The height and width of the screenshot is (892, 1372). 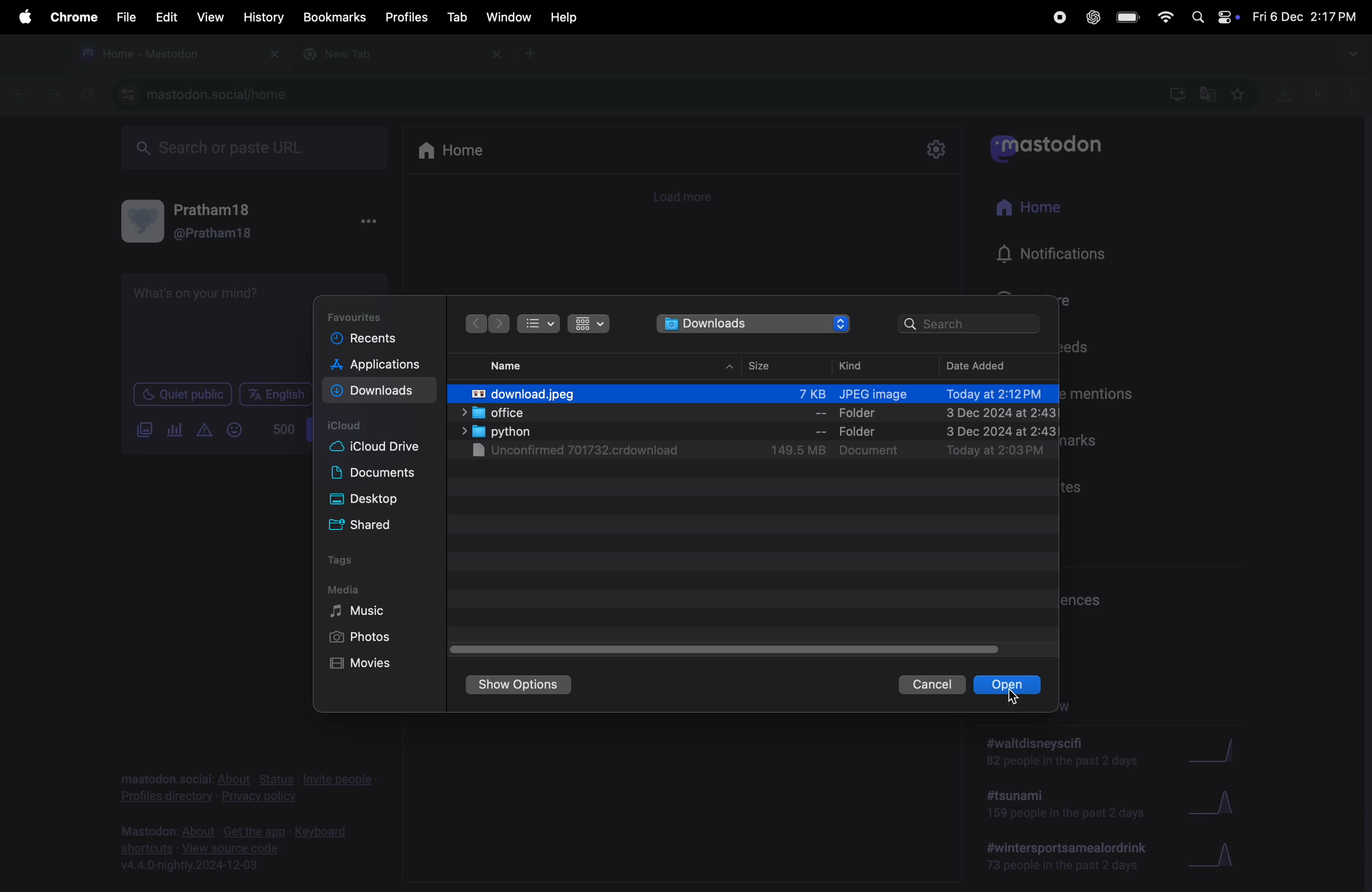 I want to click on notifications, so click(x=1056, y=254).